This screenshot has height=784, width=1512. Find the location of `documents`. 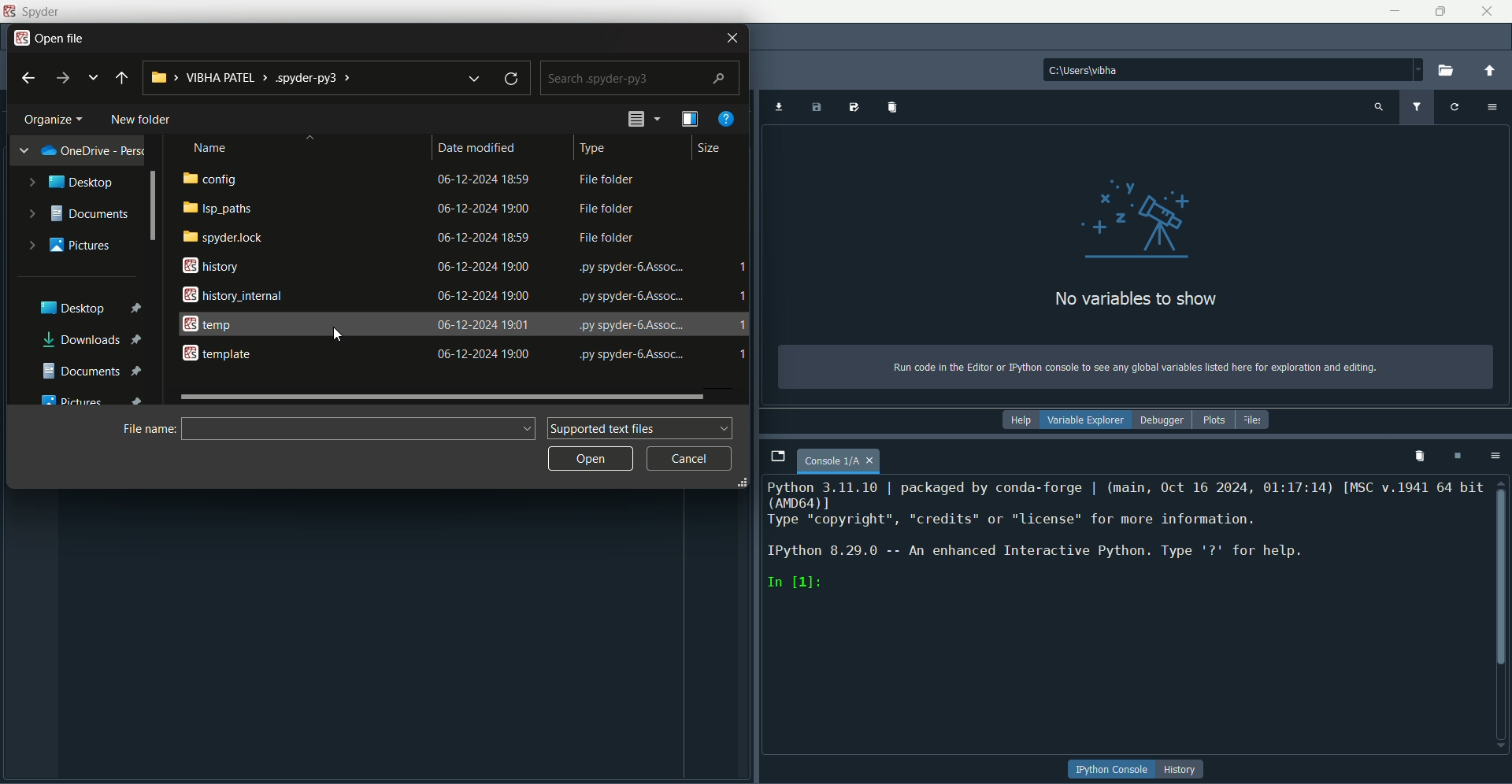

documents is located at coordinates (77, 213).